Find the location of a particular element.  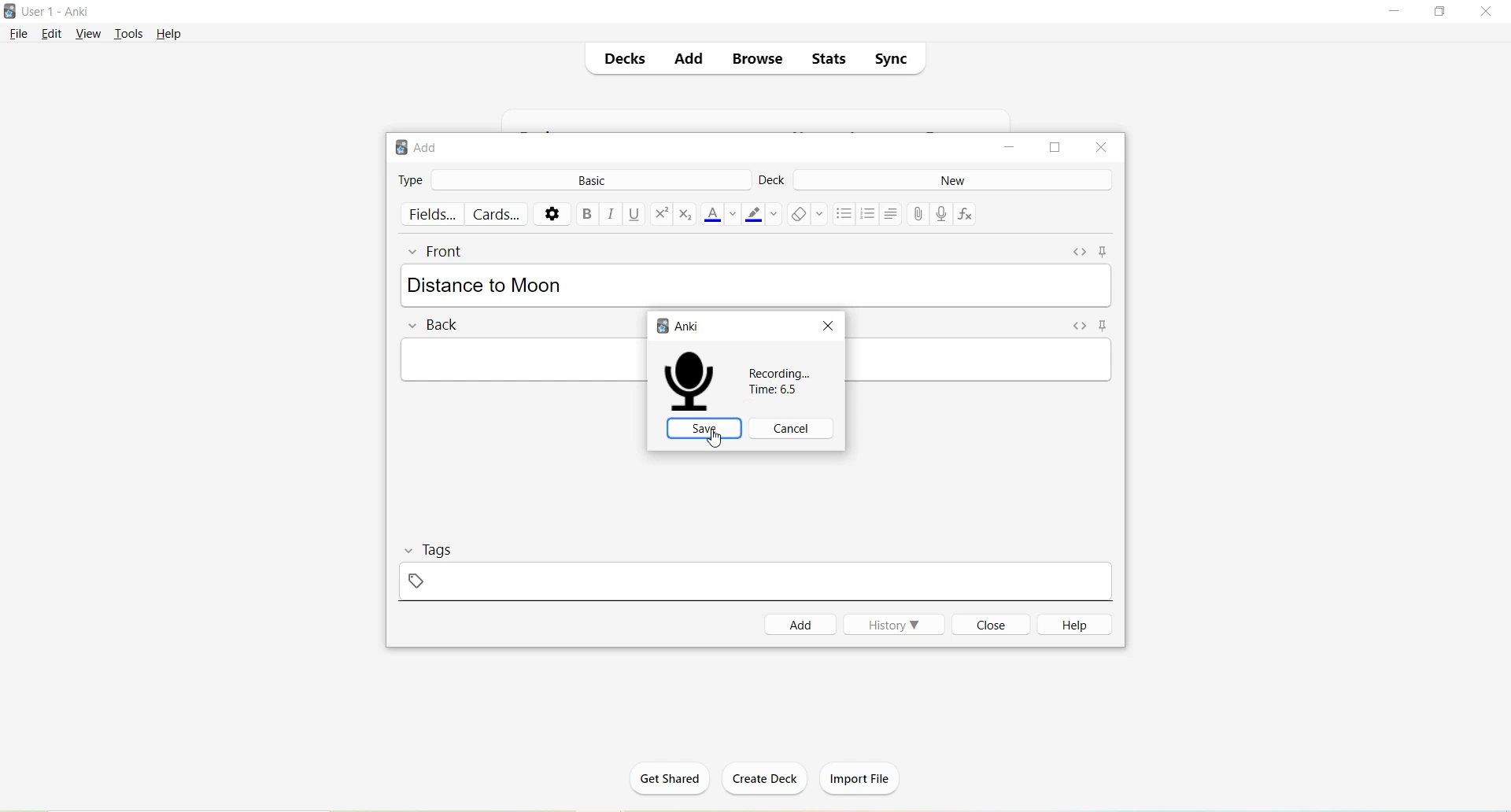

Minimize is located at coordinates (1007, 149).